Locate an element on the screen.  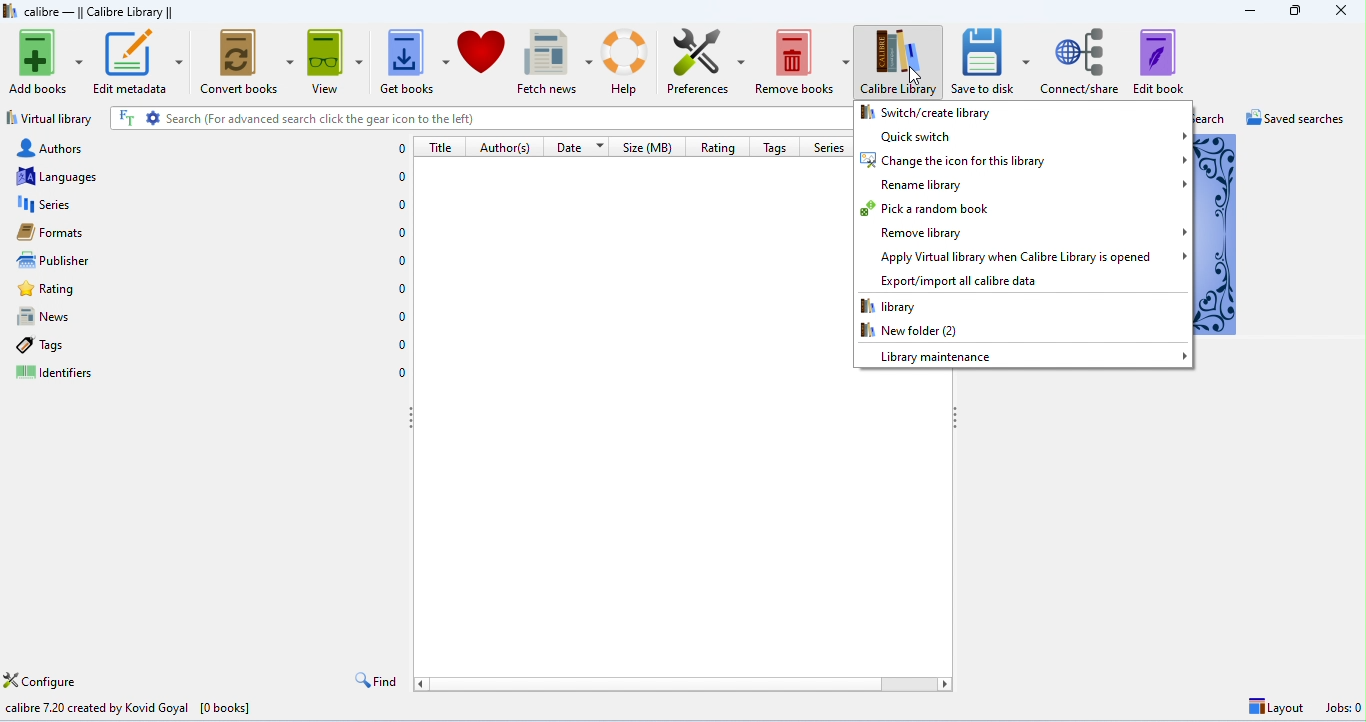
library maintenance is located at coordinates (1022, 355).